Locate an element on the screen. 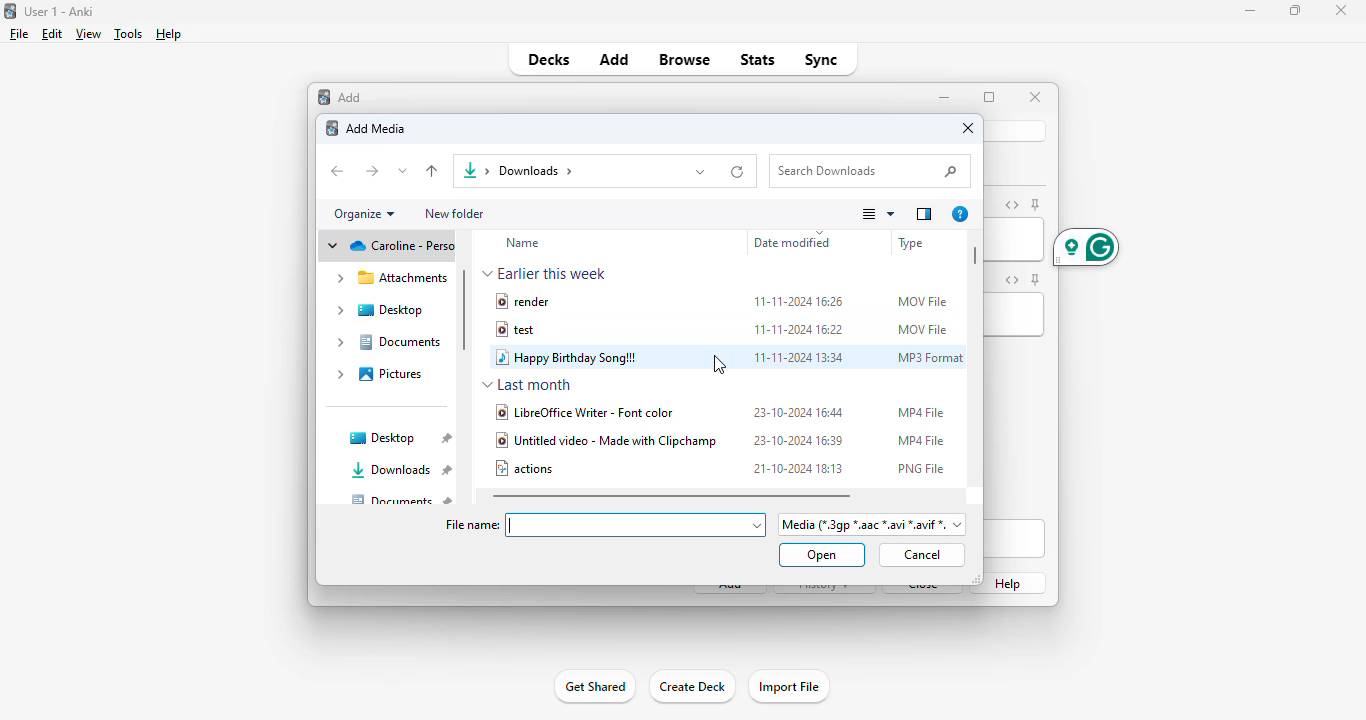 The height and width of the screenshot is (720, 1366). untitled video - made with clipchamp is located at coordinates (610, 440).